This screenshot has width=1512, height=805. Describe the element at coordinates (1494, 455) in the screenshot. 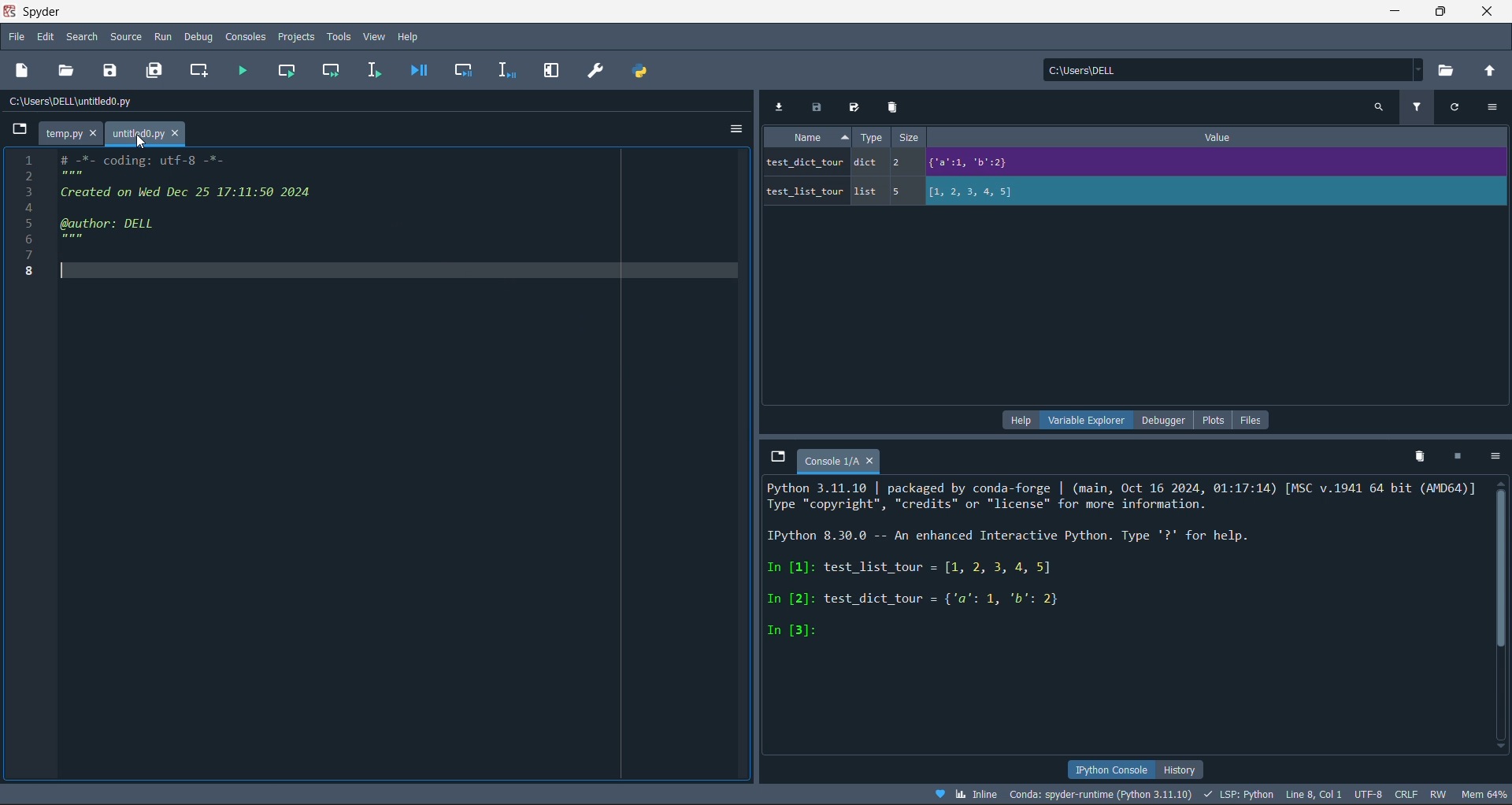

I see `options` at that location.